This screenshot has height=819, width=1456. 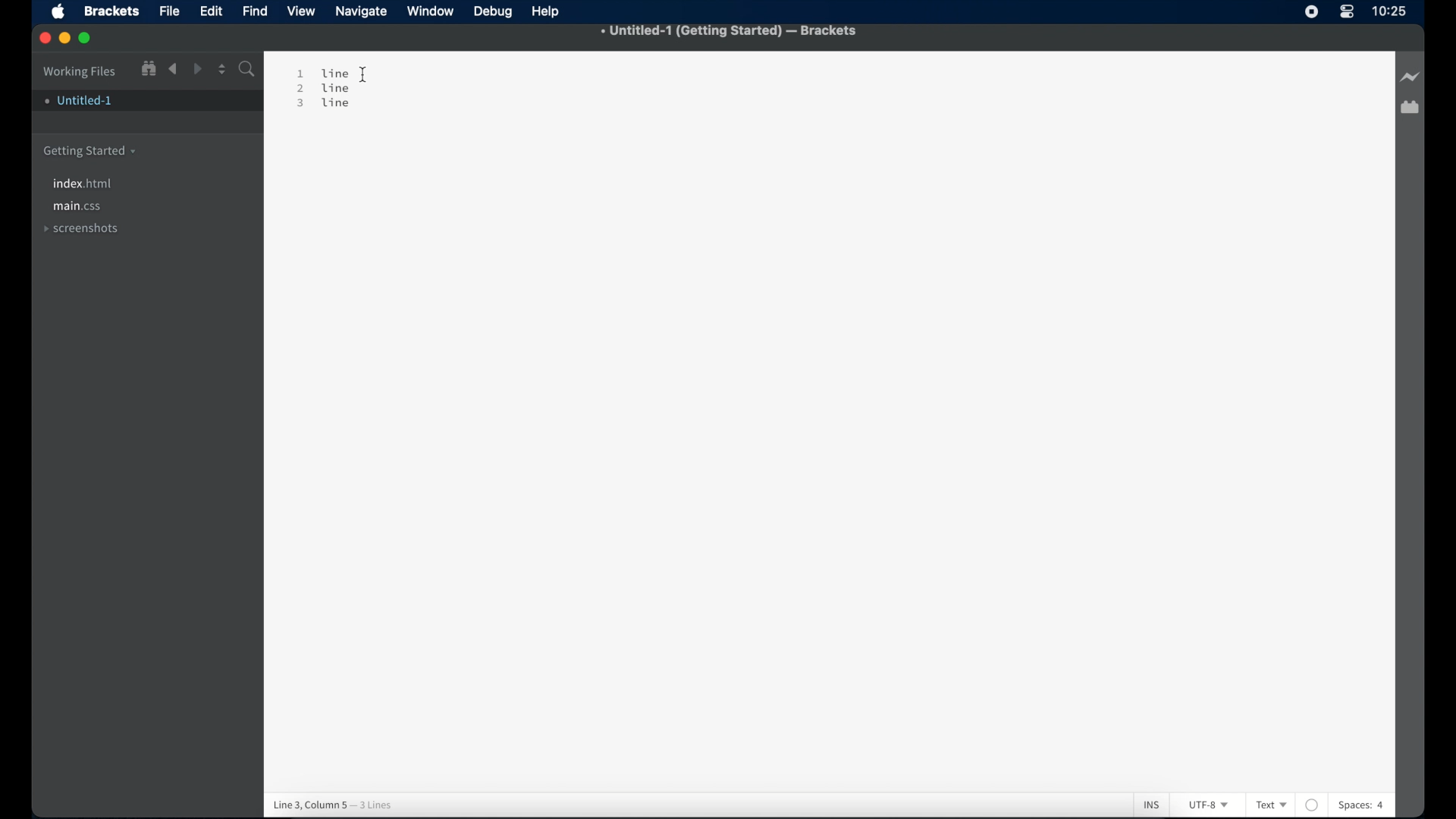 What do you see at coordinates (324, 112) in the screenshot?
I see `3 line` at bounding box center [324, 112].